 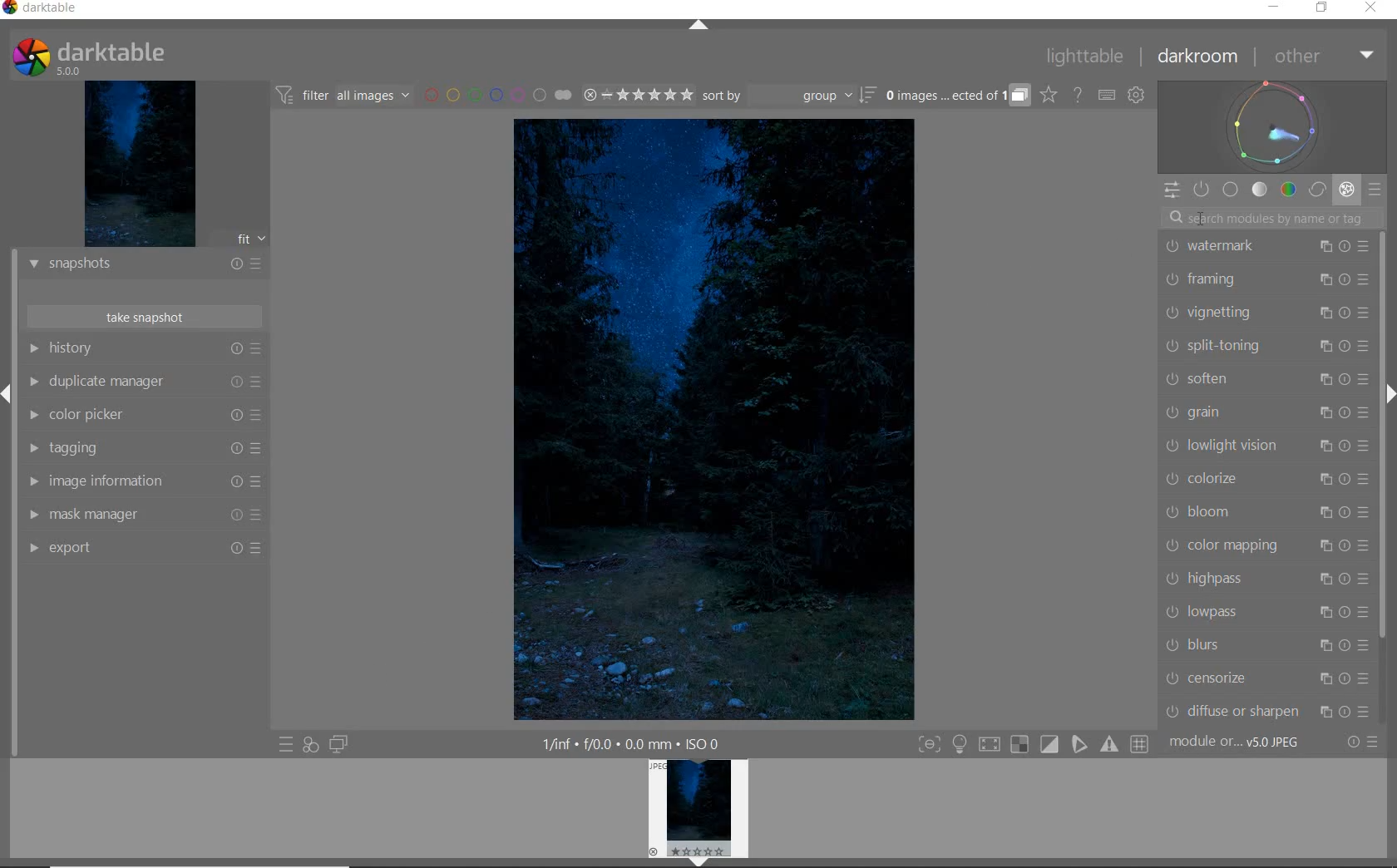 I want to click on SPLIT-TONING, so click(x=1265, y=347).